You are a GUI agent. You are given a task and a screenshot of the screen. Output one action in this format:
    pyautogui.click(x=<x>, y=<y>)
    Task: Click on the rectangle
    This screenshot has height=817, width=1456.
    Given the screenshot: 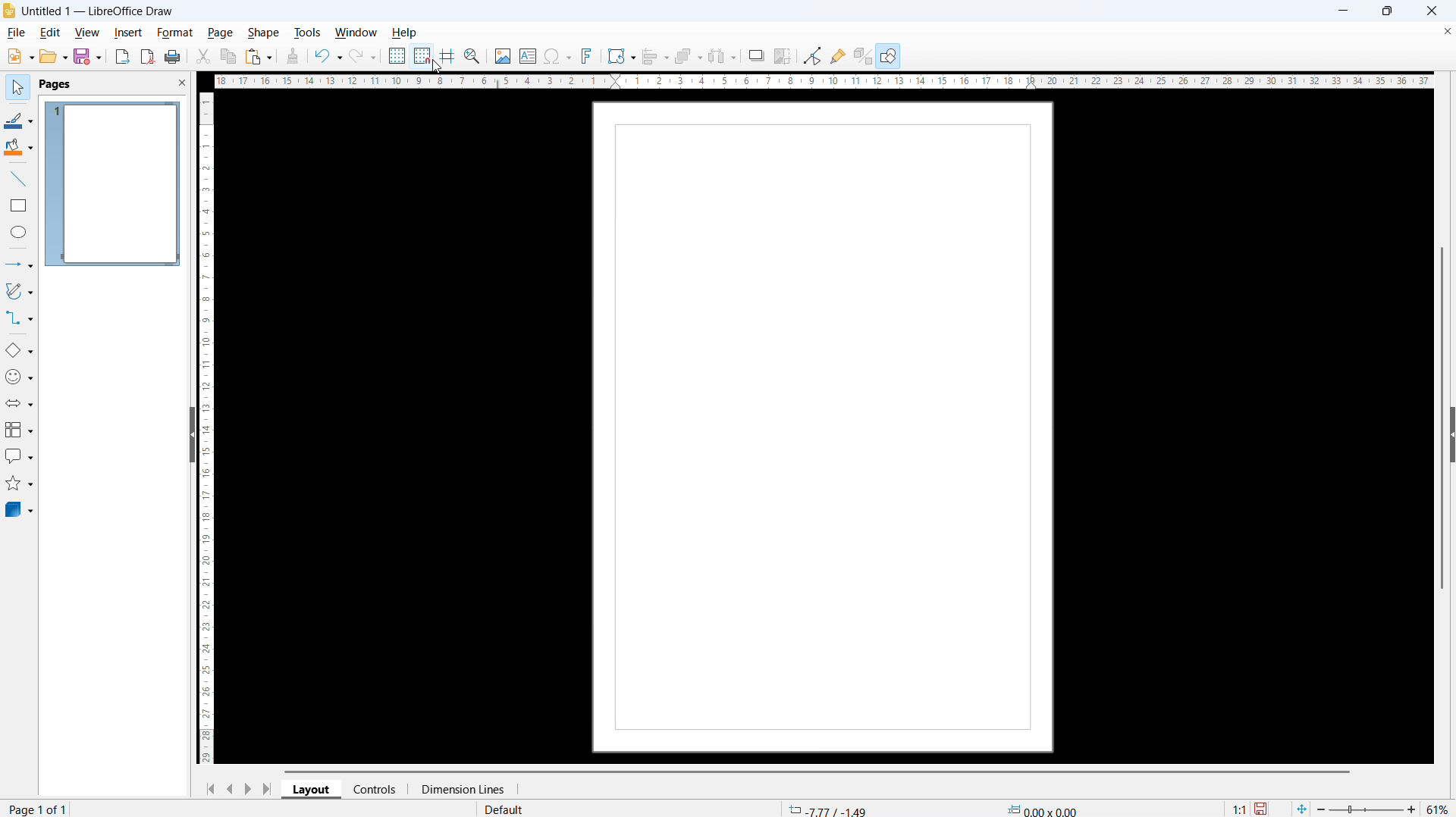 What is the action you would take?
    pyautogui.click(x=17, y=205)
    